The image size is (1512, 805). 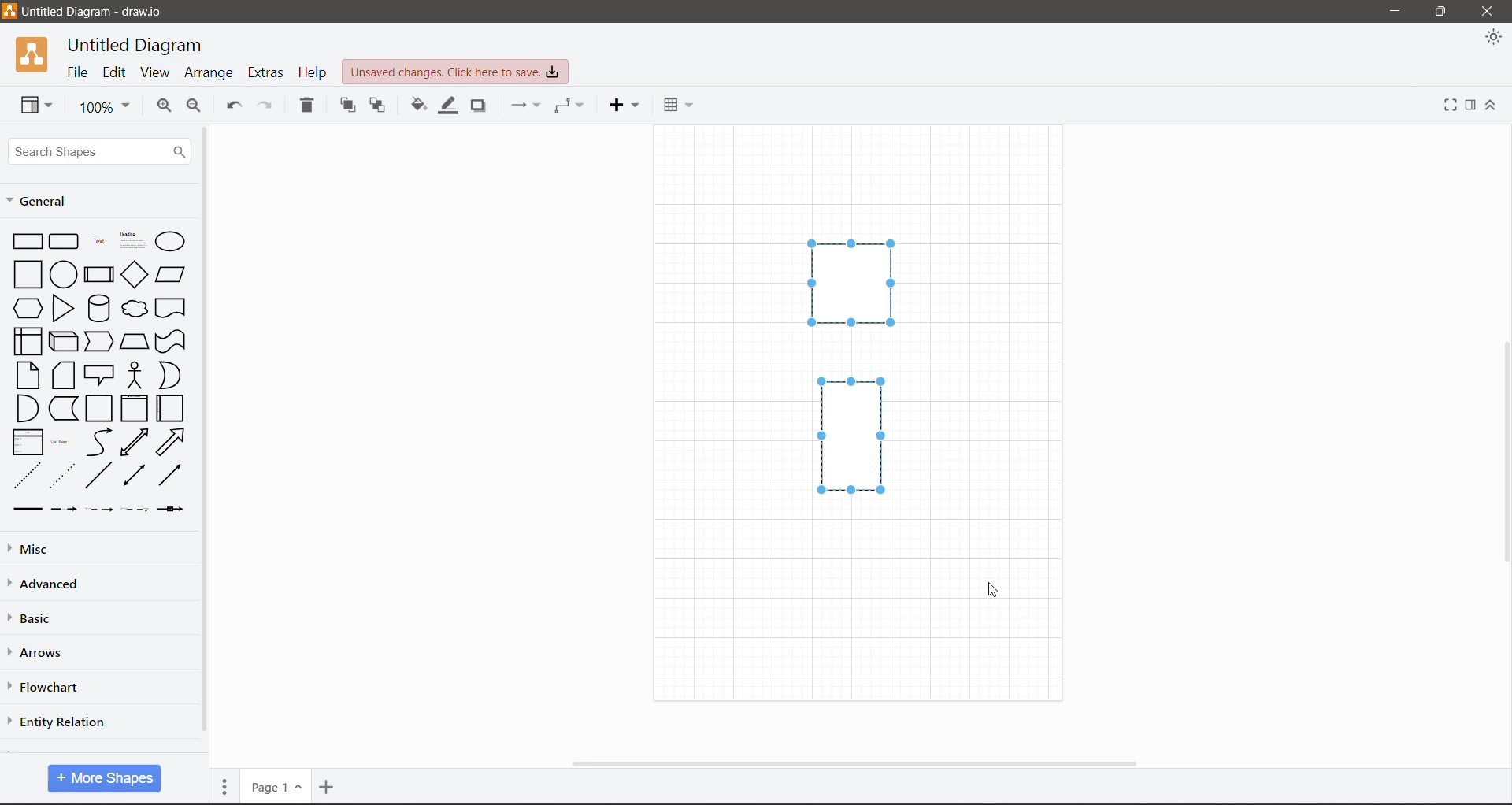 What do you see at coordinates (624, 106) in the screenshot?
I see `Insert` at bounding box center [624, 106].